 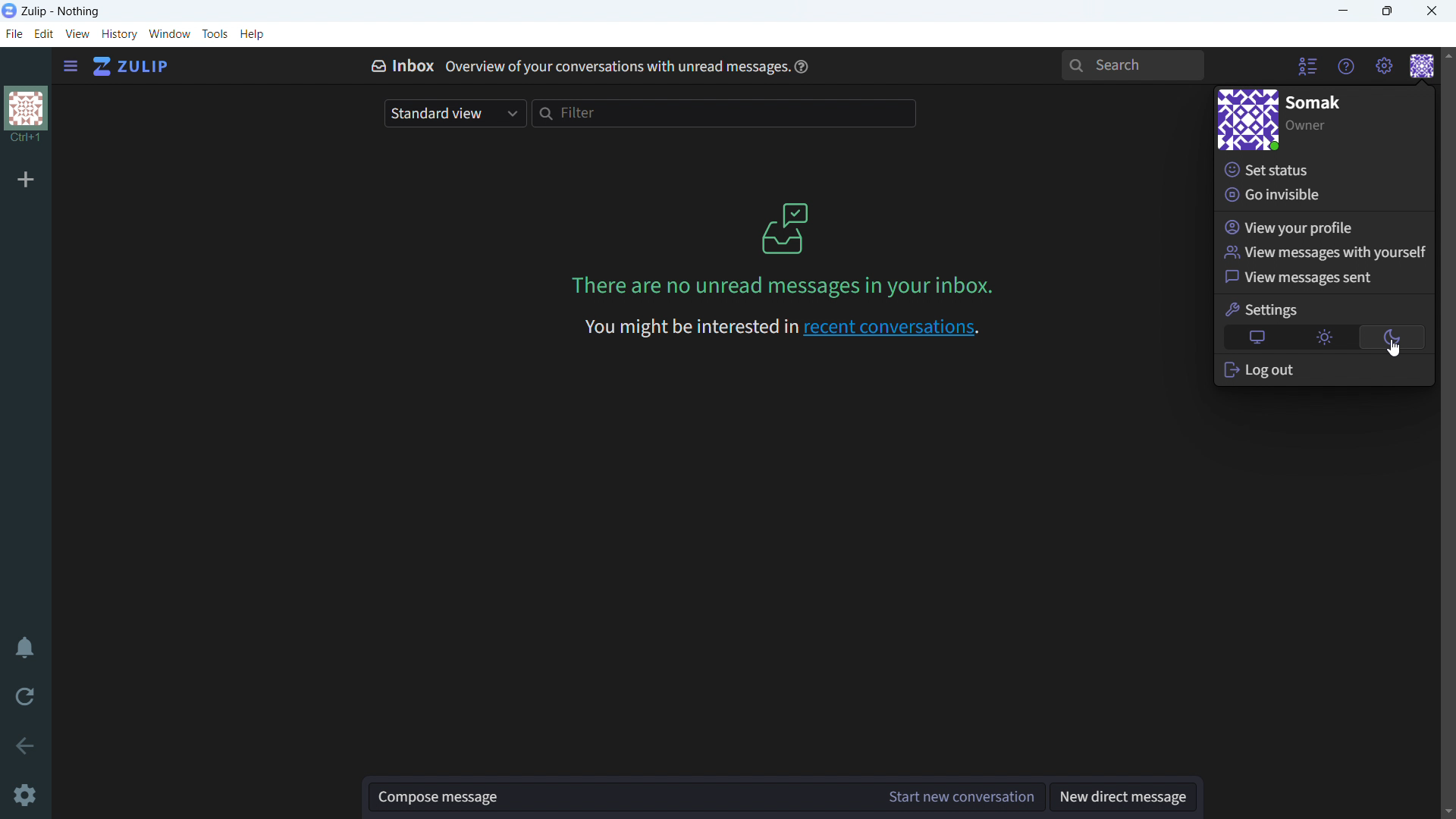 I want to click on light theme, so click(x=1327, y=337).